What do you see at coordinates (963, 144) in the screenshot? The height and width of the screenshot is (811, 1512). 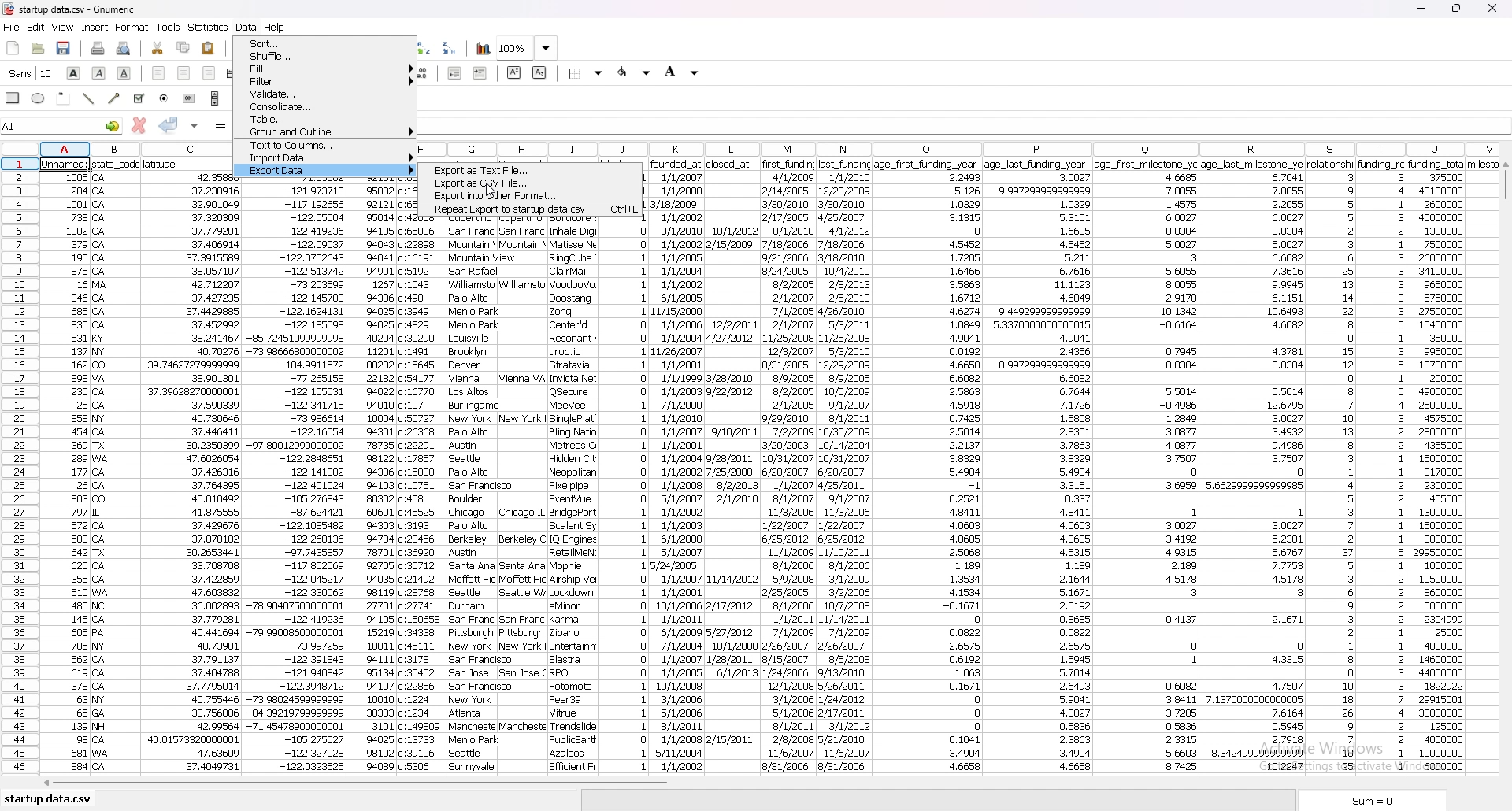 I see `columns` at bounding box center [963, 144].